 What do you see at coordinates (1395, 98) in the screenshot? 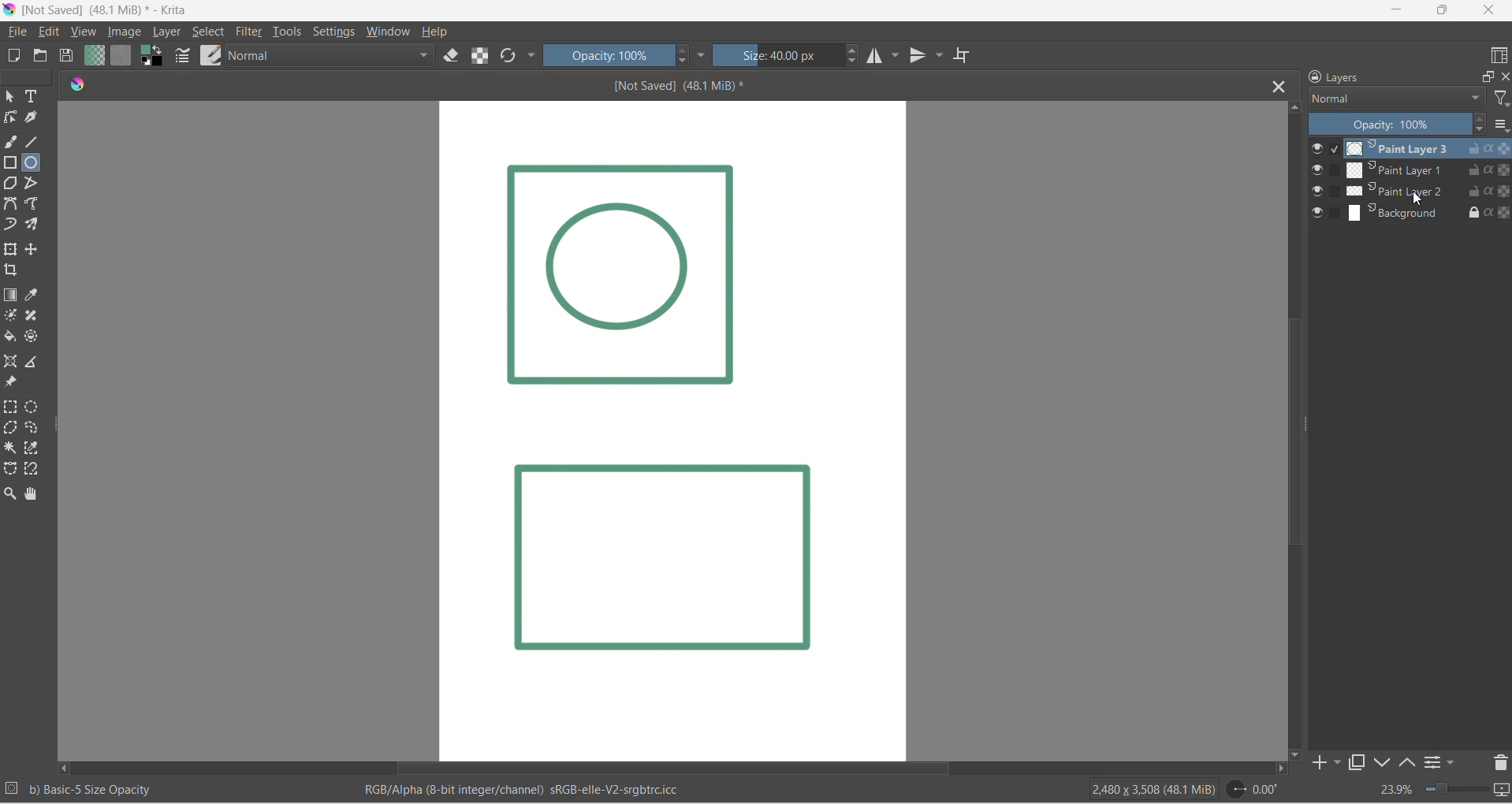
I see `layer type` at bounding box center [1395, 98].